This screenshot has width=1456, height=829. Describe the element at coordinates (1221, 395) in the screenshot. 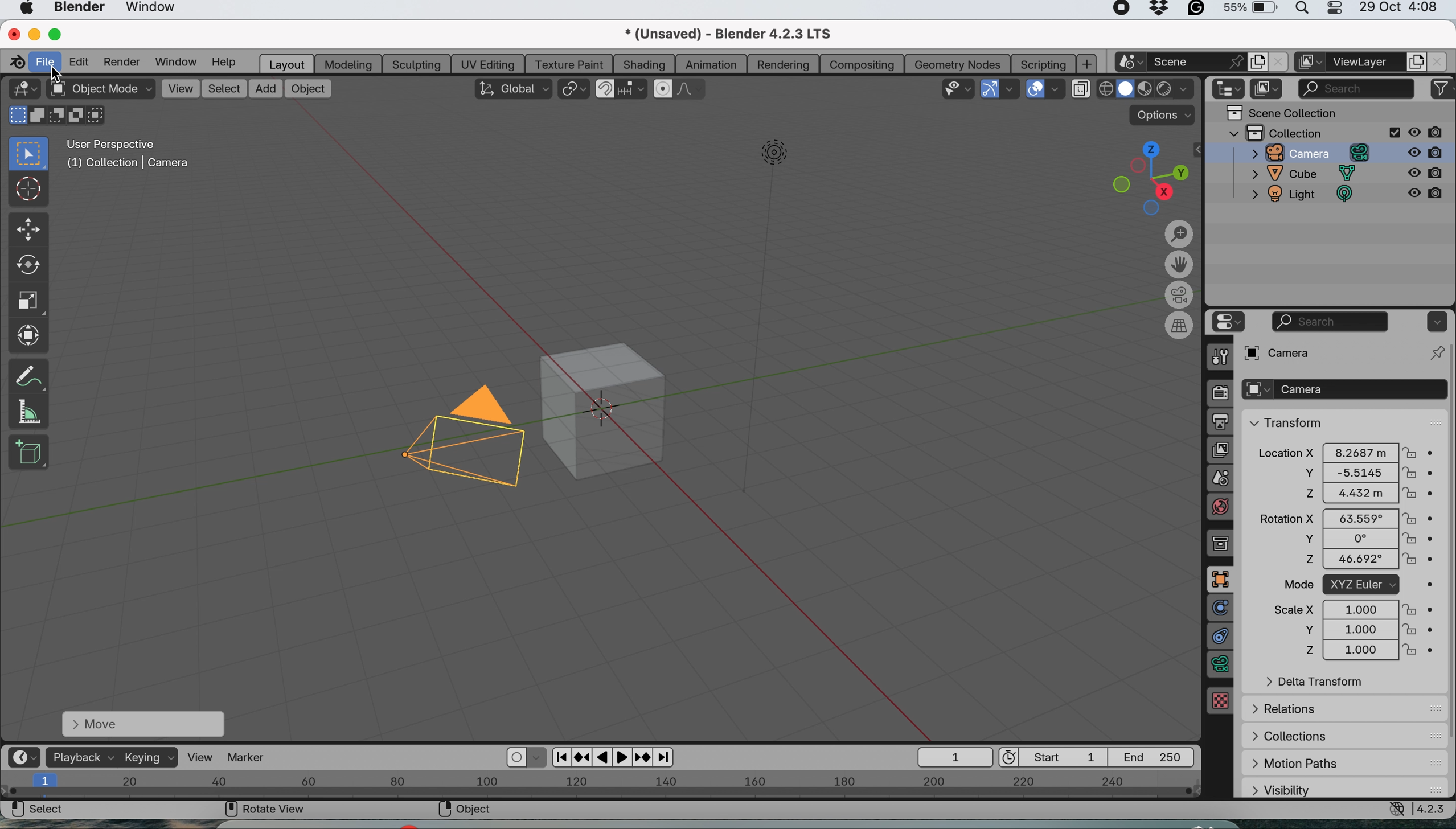

I see `render` at that location.